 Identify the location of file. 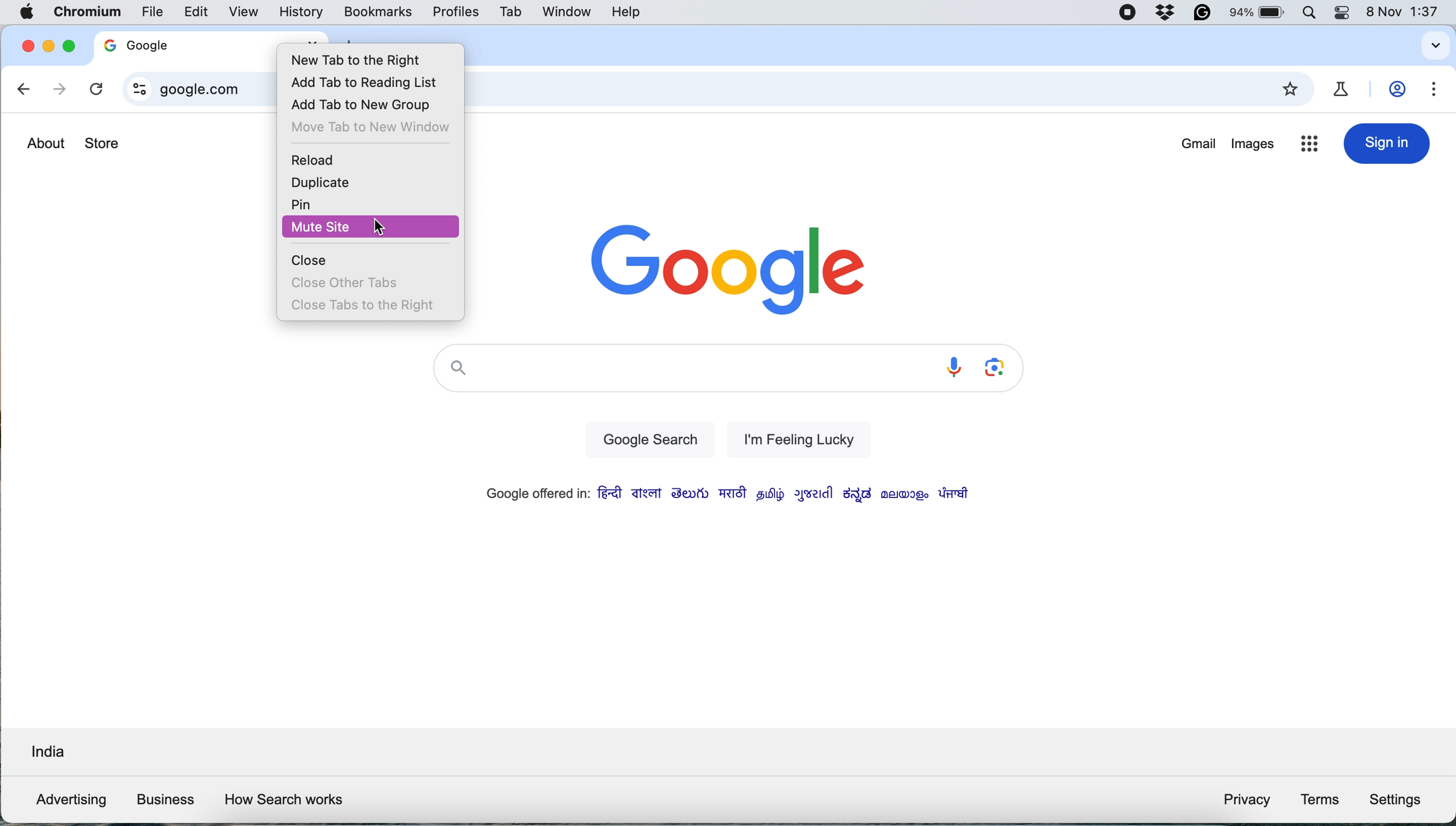
(153, 11).